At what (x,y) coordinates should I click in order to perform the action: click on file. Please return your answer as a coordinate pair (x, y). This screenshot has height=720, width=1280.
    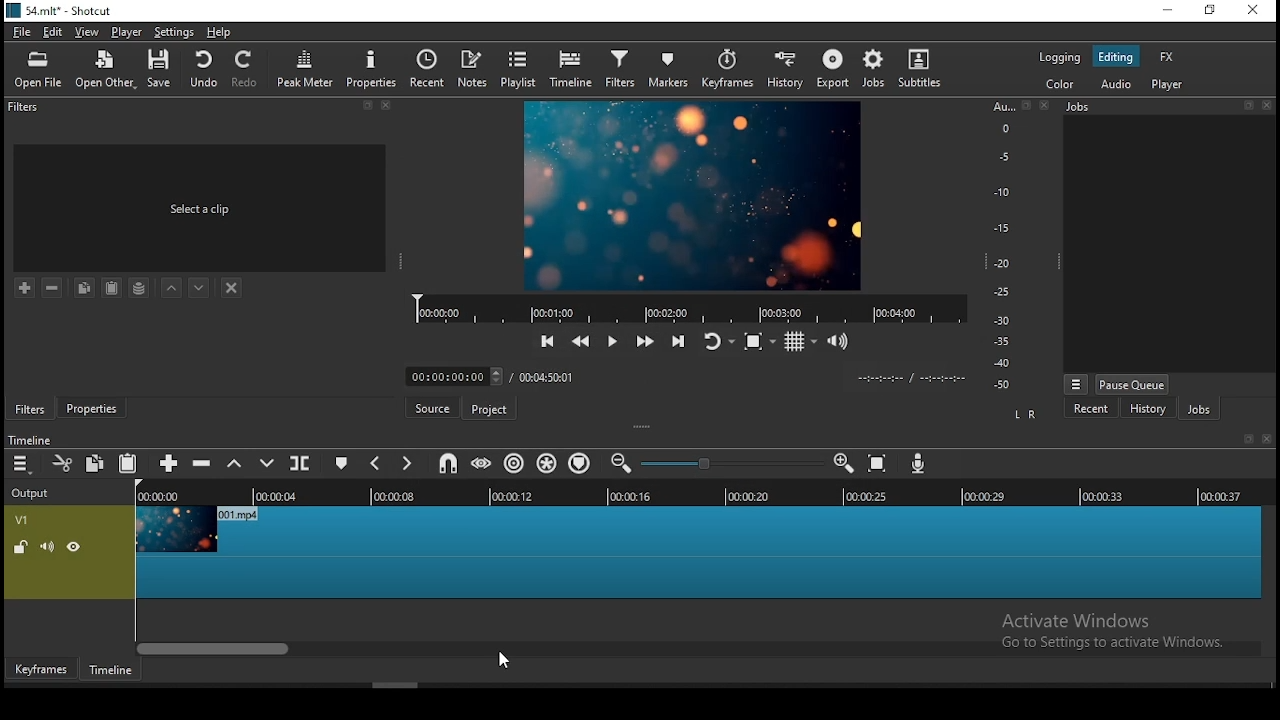
    Looking at the image, I should click on (22, 34).